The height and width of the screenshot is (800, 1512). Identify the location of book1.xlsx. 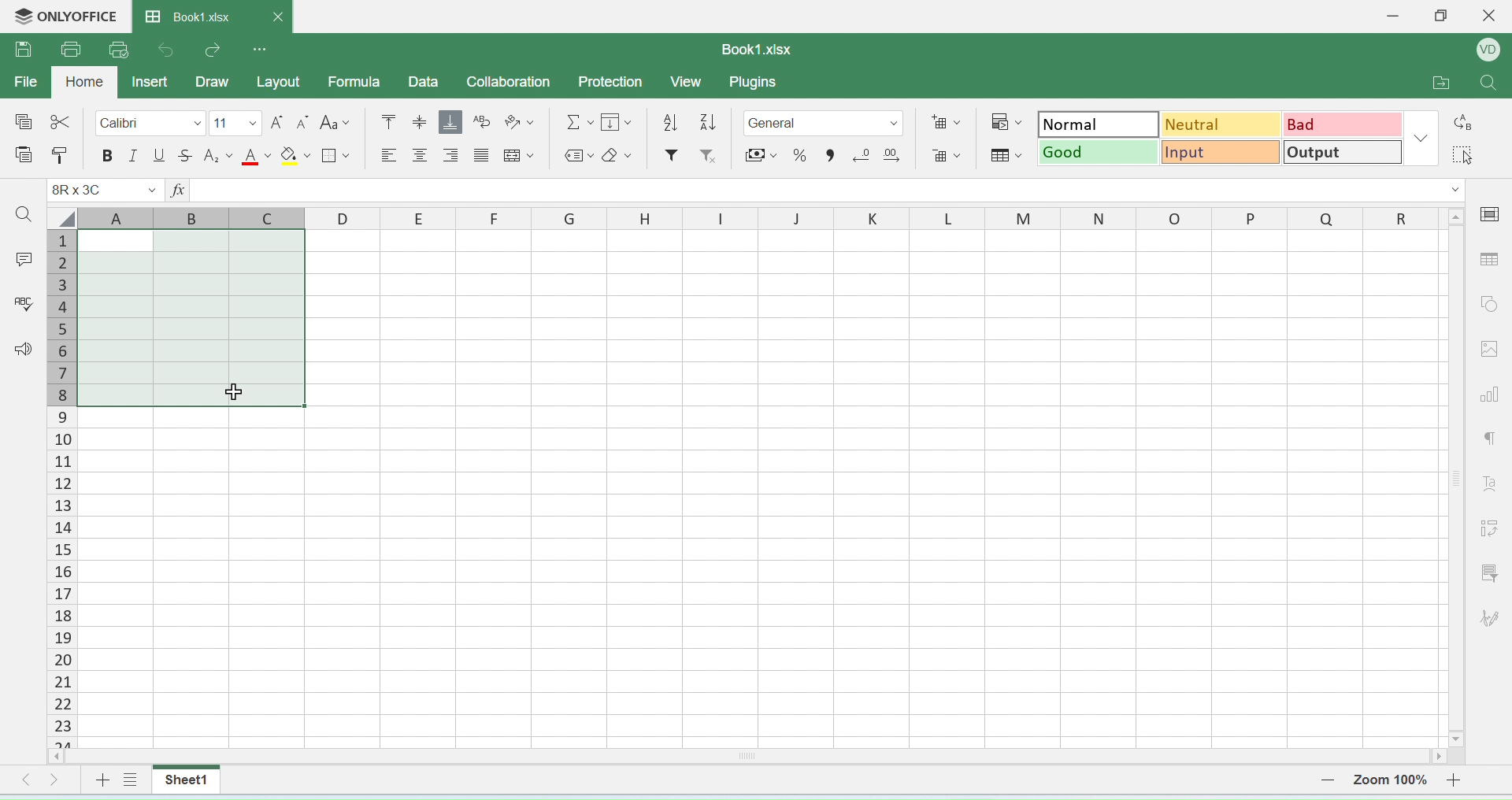
(754, 48).